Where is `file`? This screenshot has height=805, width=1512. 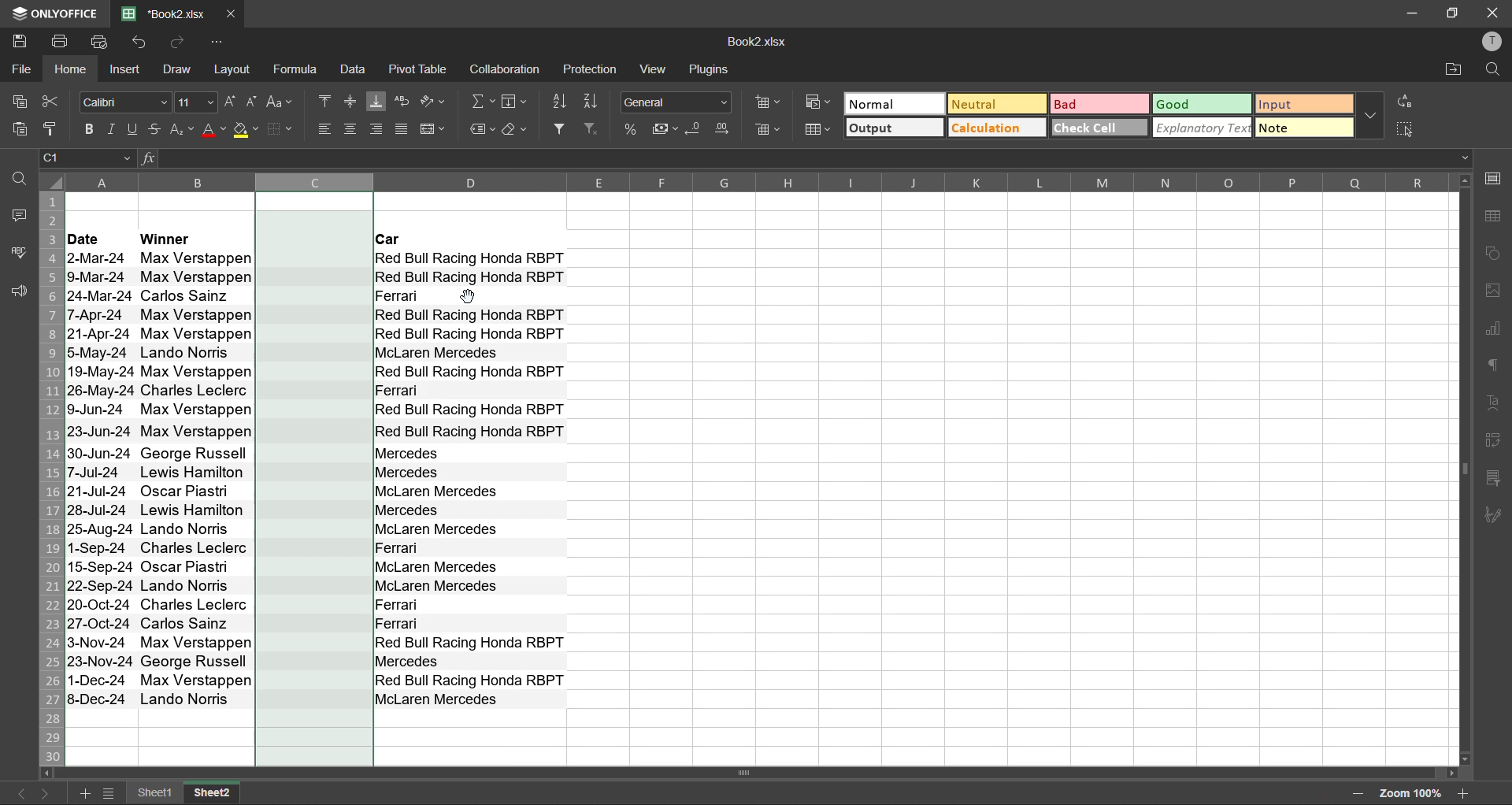 file is located at coordinates (22, 71).